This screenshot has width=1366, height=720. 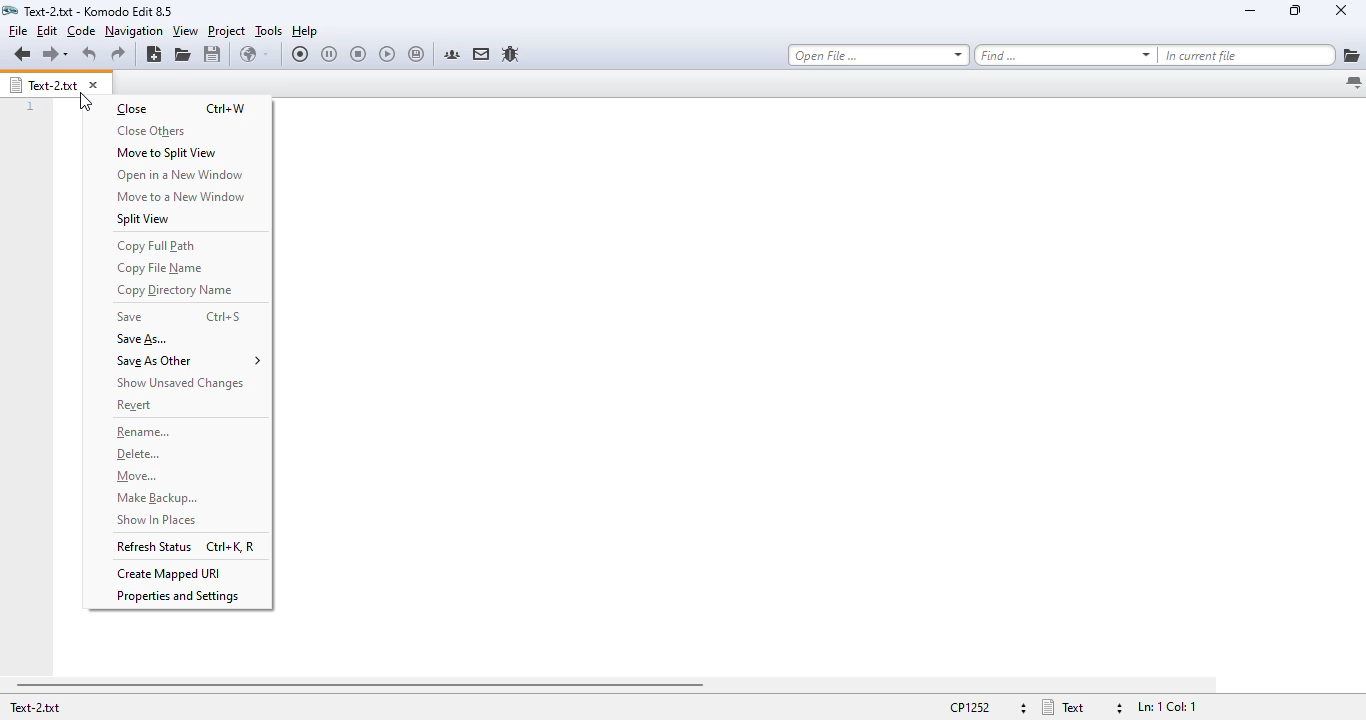 What do you see at coordinates (155, 245) in the screenshot?
I see `copy full path` at bounding box center [155, 245].